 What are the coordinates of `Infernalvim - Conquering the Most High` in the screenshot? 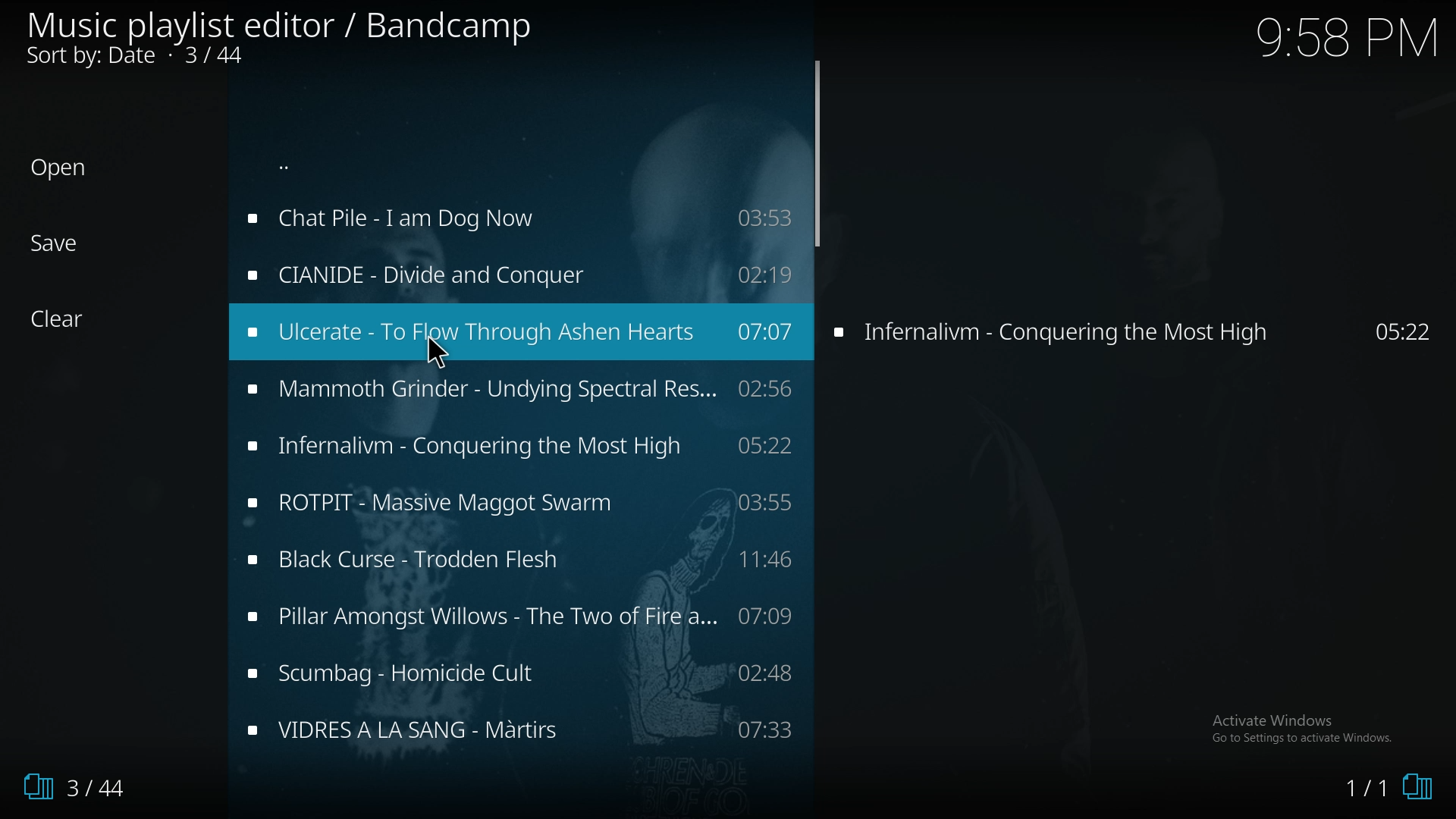 It's located at (1056, 331).